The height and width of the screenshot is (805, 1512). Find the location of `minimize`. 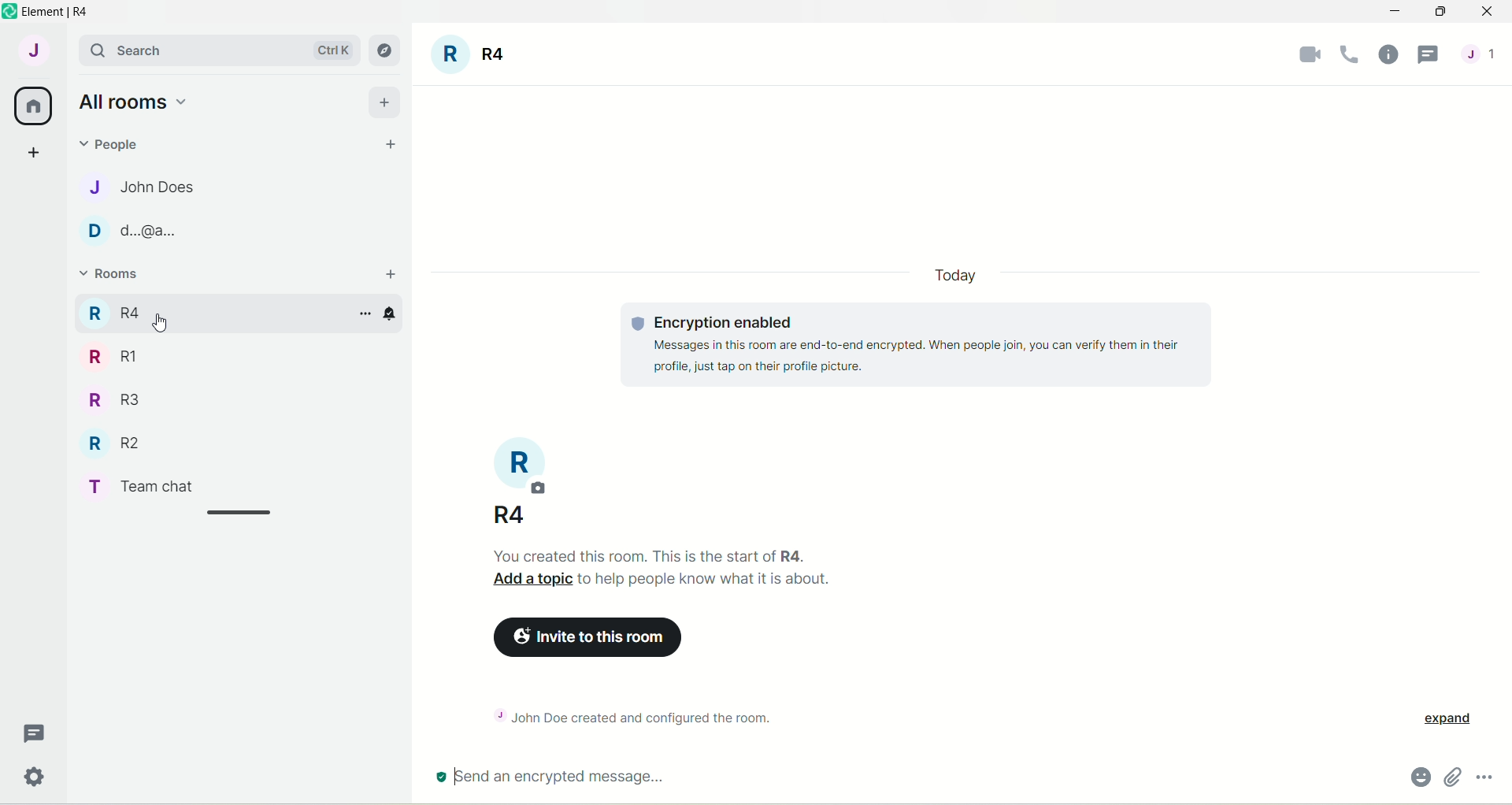

minimize is located at coordinates (1392, 13).